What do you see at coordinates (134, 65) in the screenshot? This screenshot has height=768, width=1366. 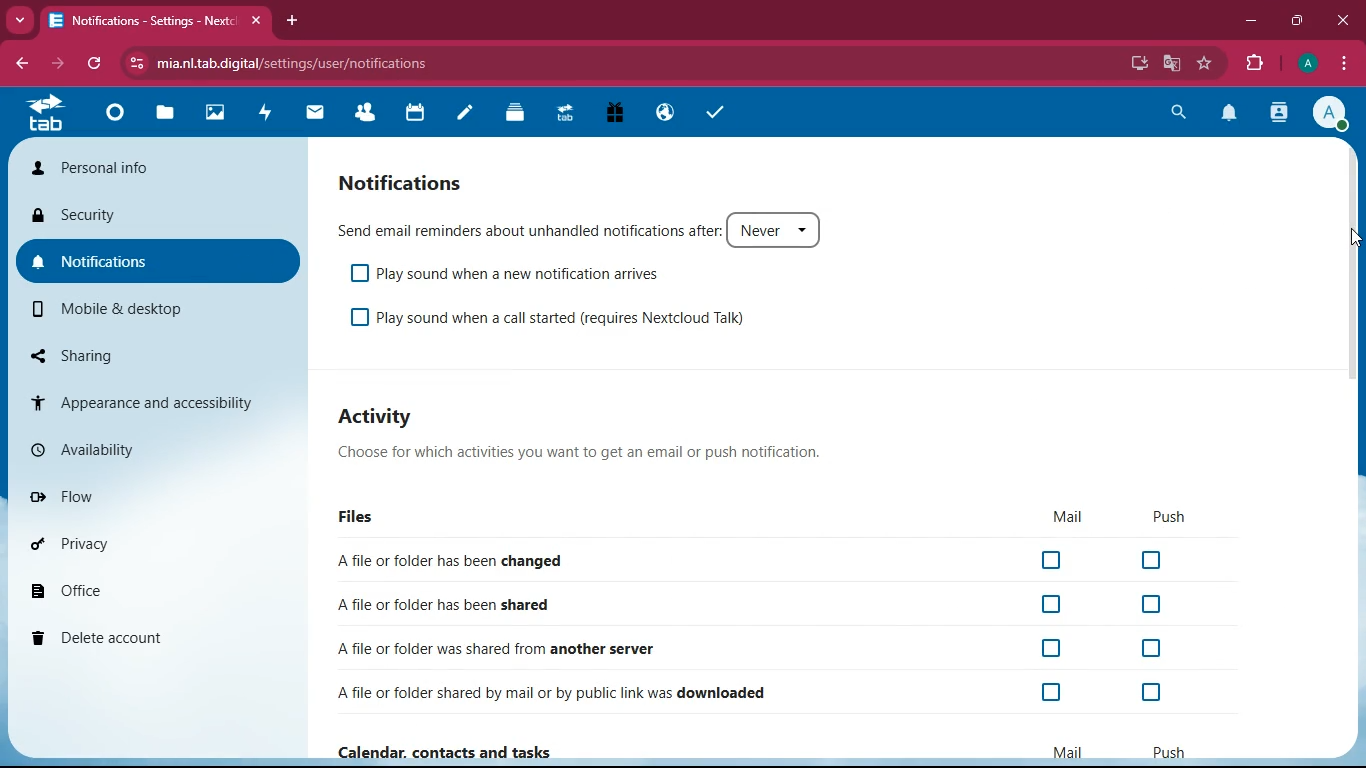 I see `view site information` at bounding box center [134, 65].